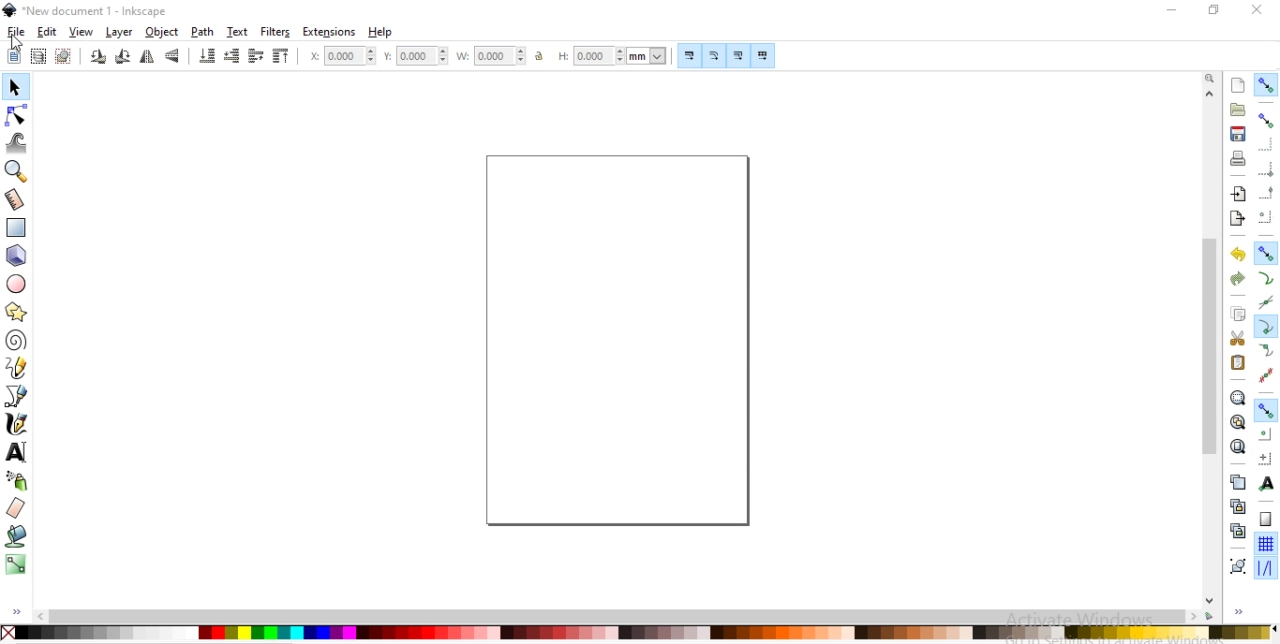 Image resolution: width=1280 pixels, height=644 pixels. I want to click on snap bounding box corners, so click(1266, 169).